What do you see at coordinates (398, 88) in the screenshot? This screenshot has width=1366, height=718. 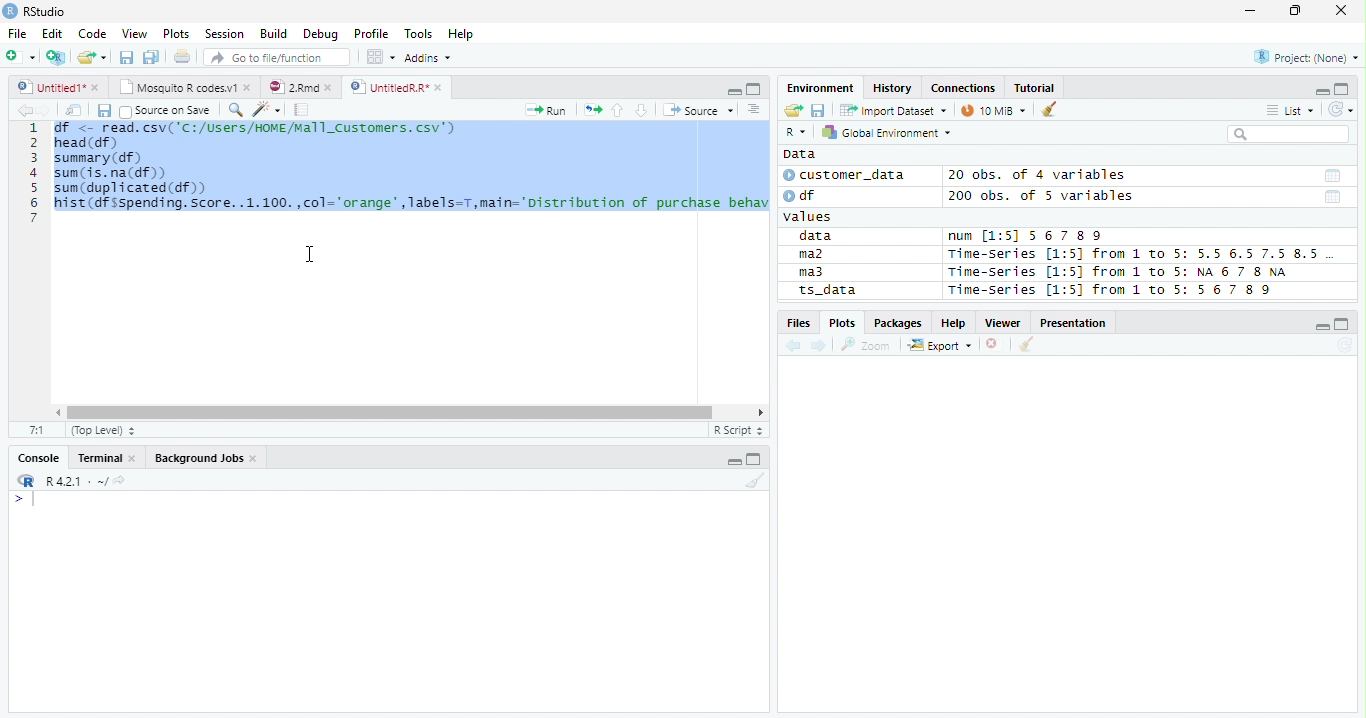 I see `UnititledR.R` at bounding box center [398, 88].